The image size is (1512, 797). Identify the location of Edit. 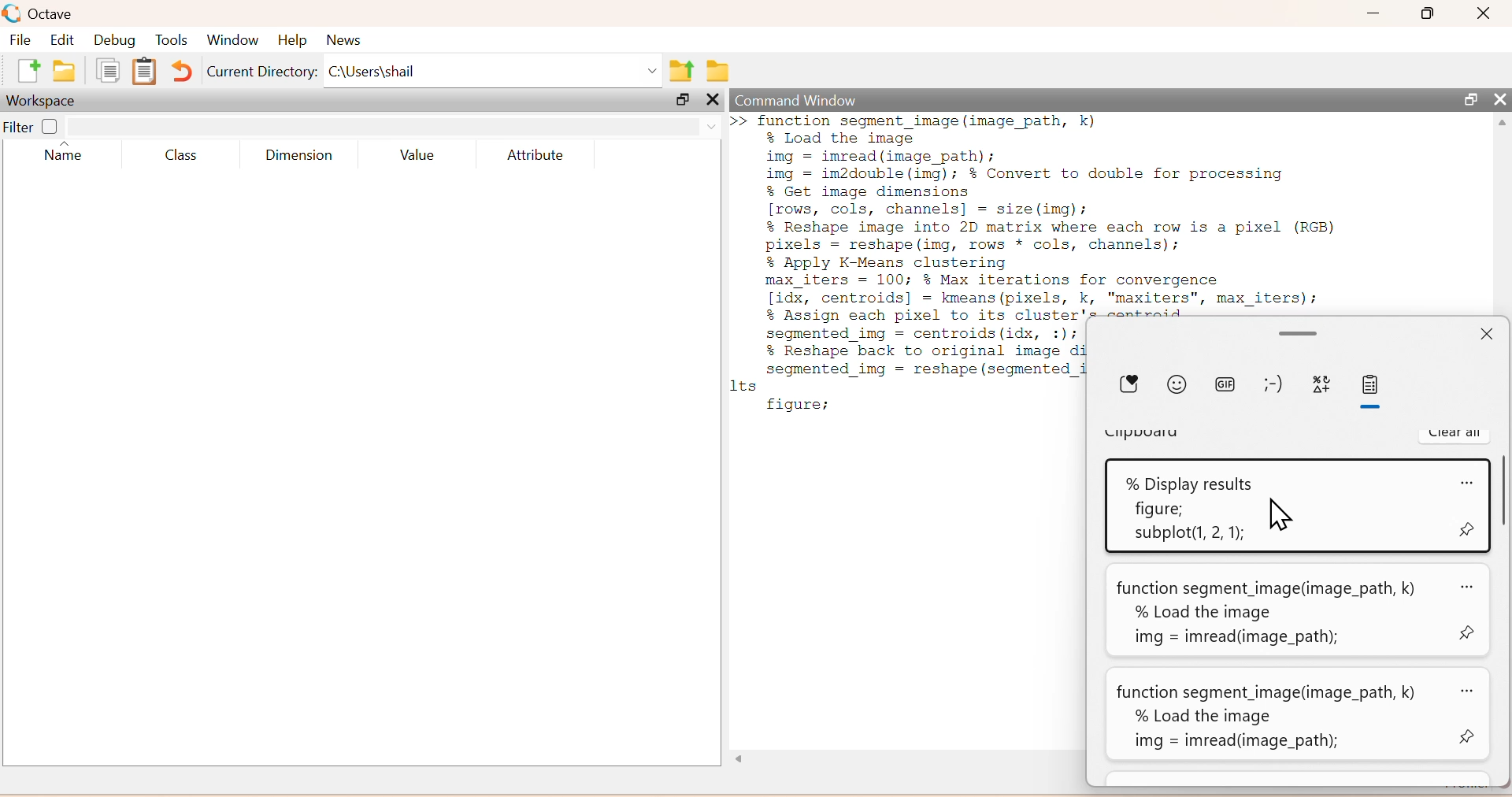
(64, 40).